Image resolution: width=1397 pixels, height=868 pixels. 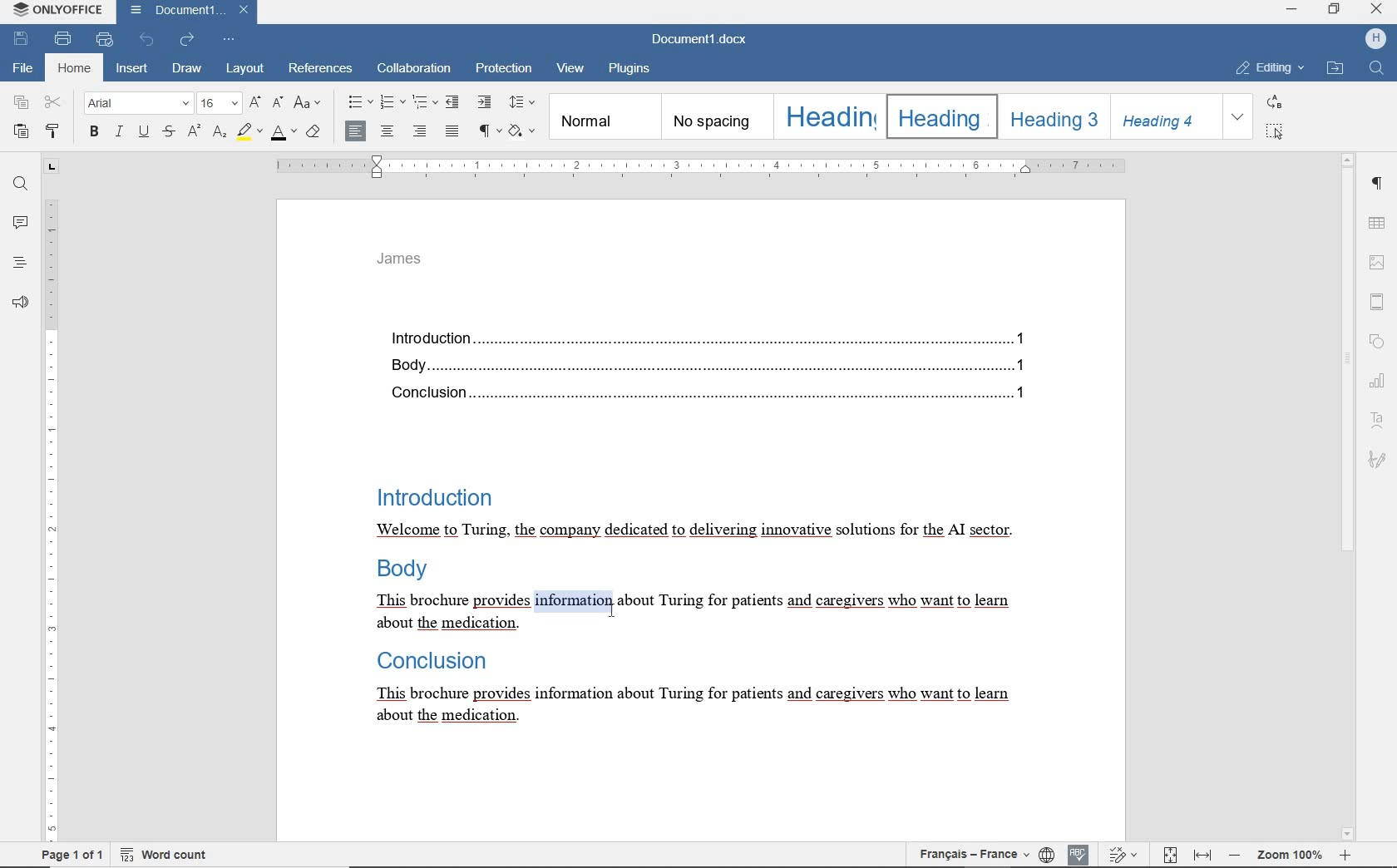 What do you see at coordinates (219, 133) in the screenshot?
I see `SUBSCRIPT` at bounding box center [219, 133].